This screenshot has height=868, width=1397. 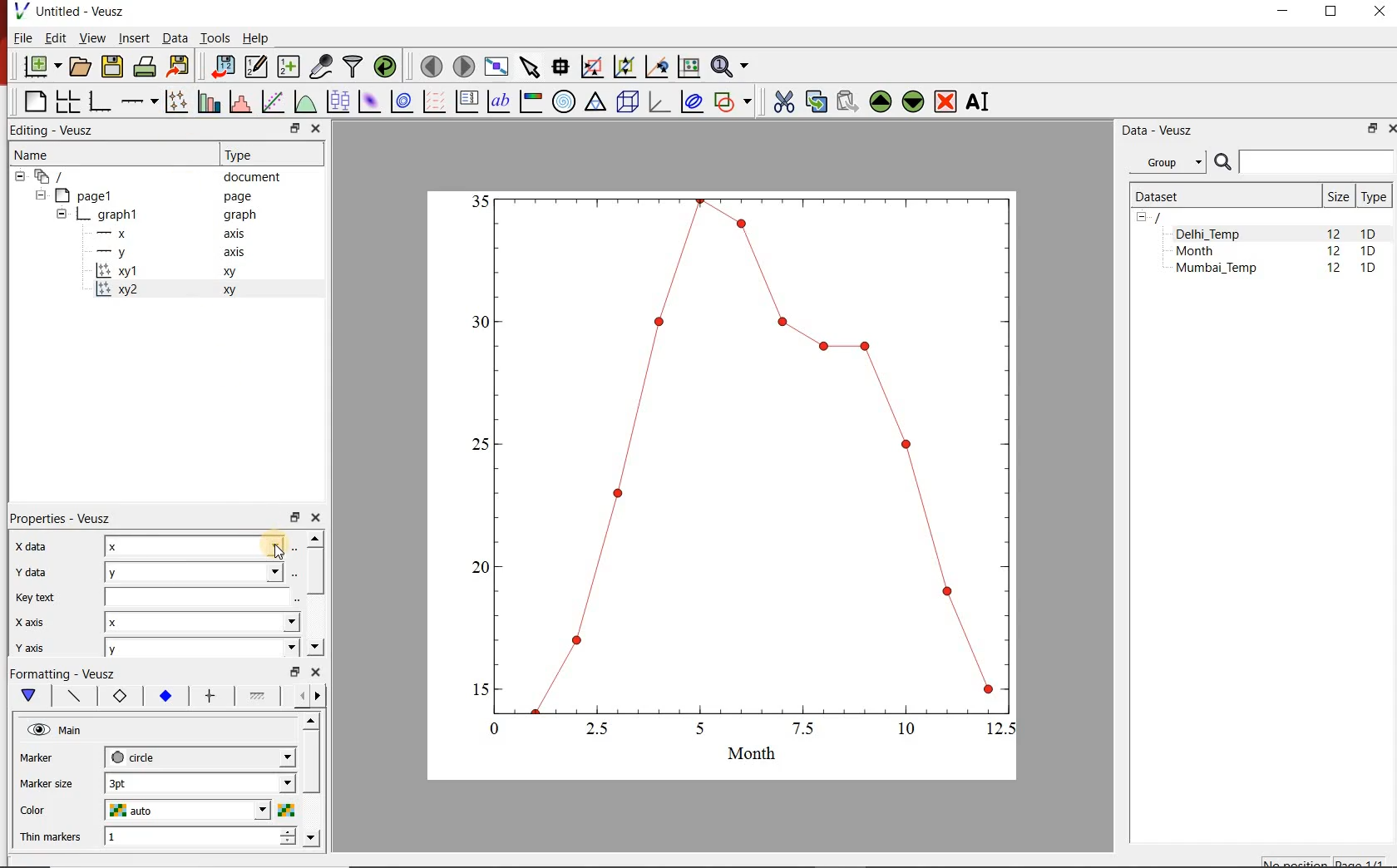 What do you see at coordinates (1331, 12) in the screenshot?
I see `RESTORE` at bounding box center [1331, 12].